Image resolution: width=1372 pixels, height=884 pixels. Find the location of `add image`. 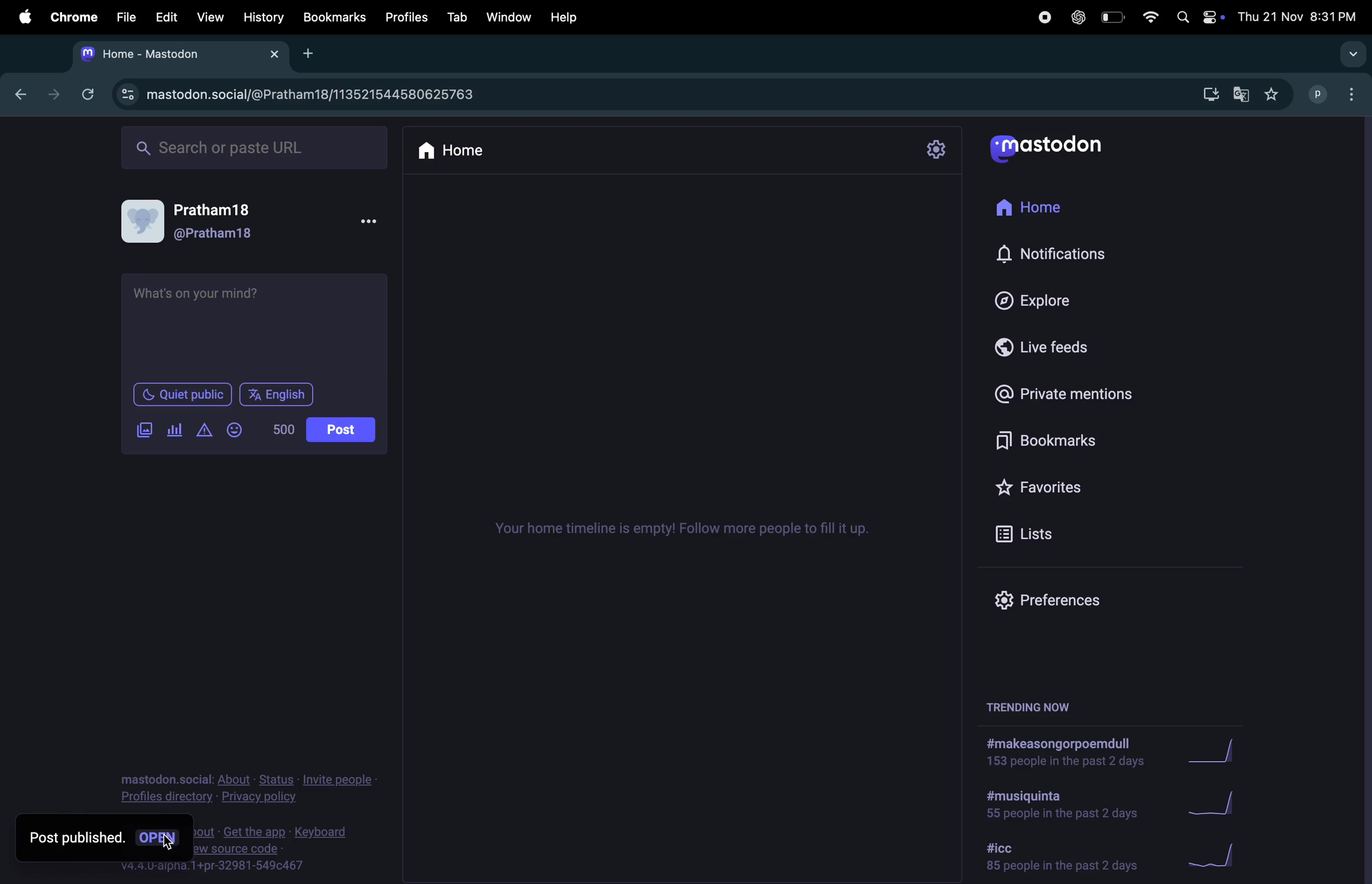

add image is located at coordinates (146, 431).